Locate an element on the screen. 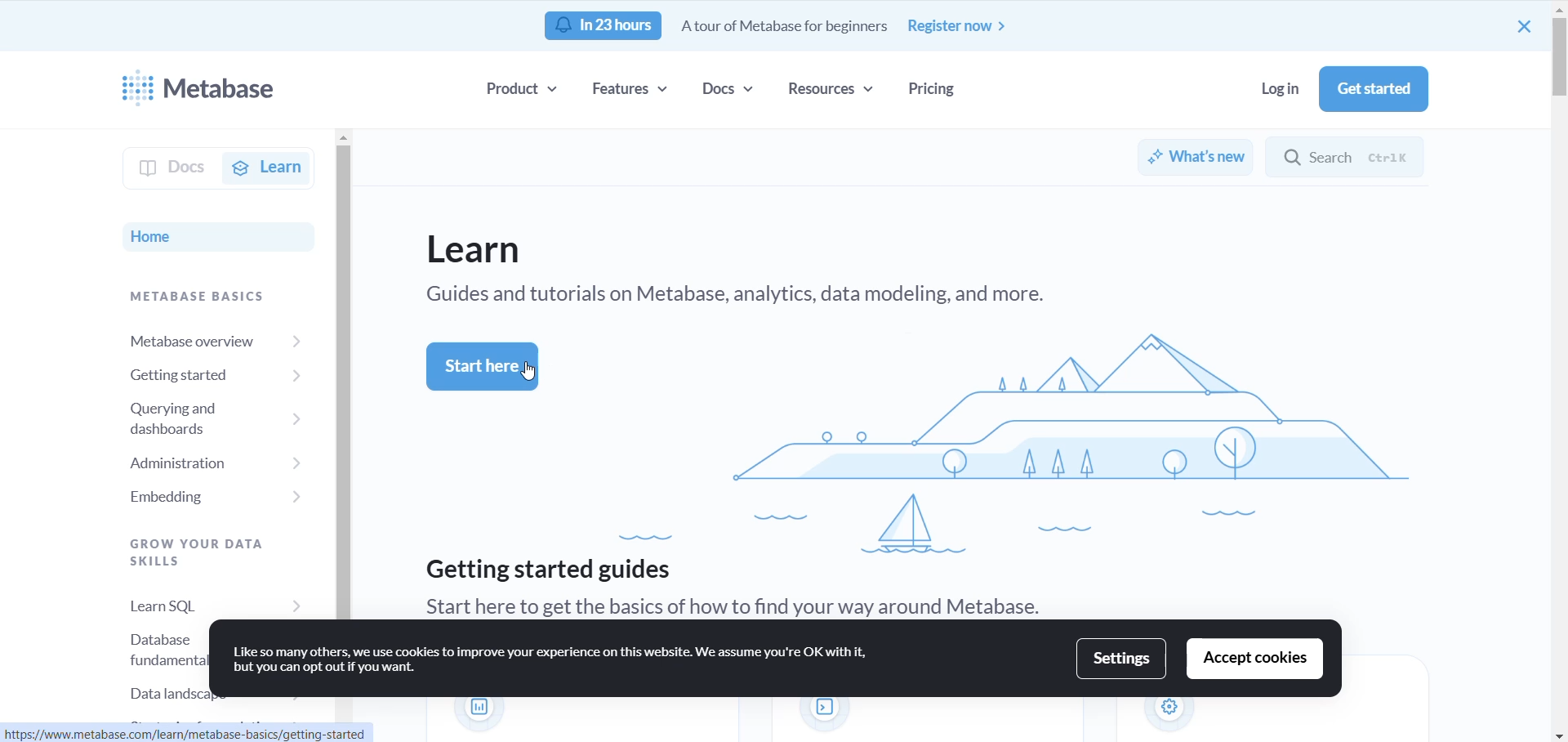 This screenshot has height=742, width=1568. getting started is located at coordinates (212, 374).